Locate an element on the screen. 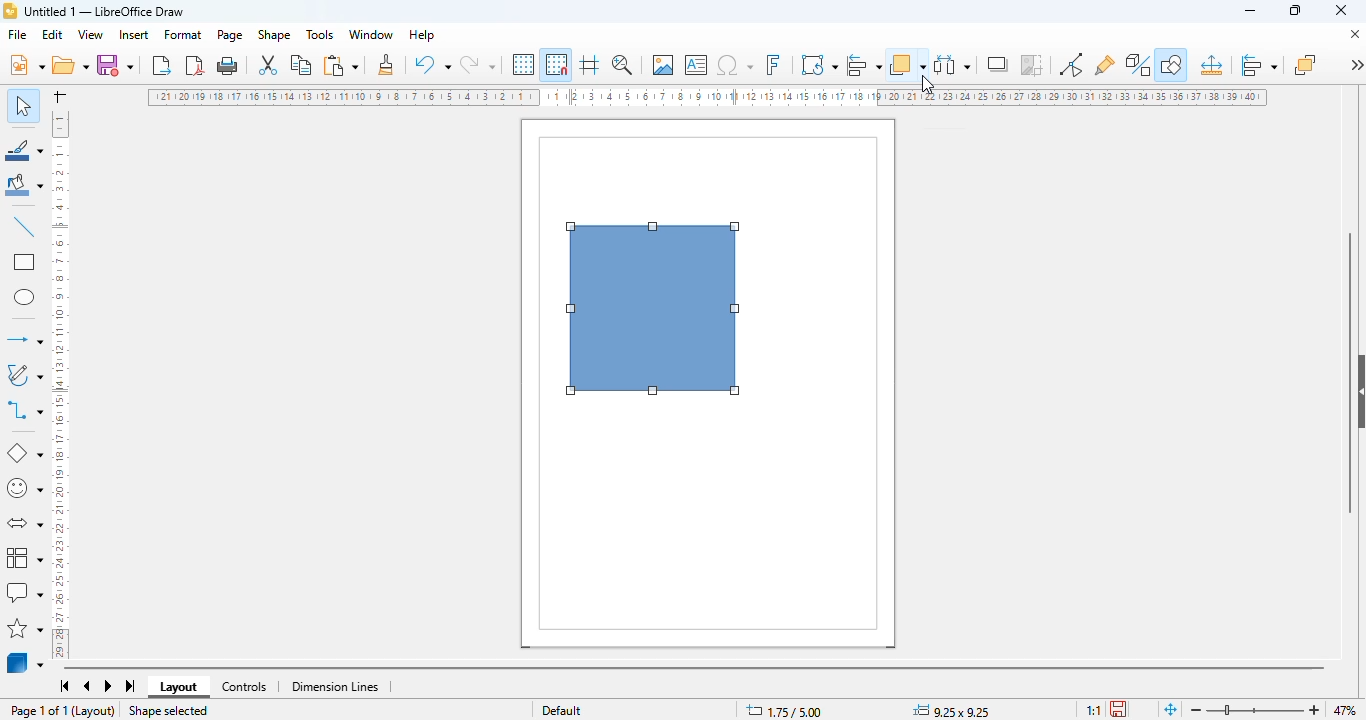 The image size is (1366, 720). tools  is located at coordinates (319, 34).